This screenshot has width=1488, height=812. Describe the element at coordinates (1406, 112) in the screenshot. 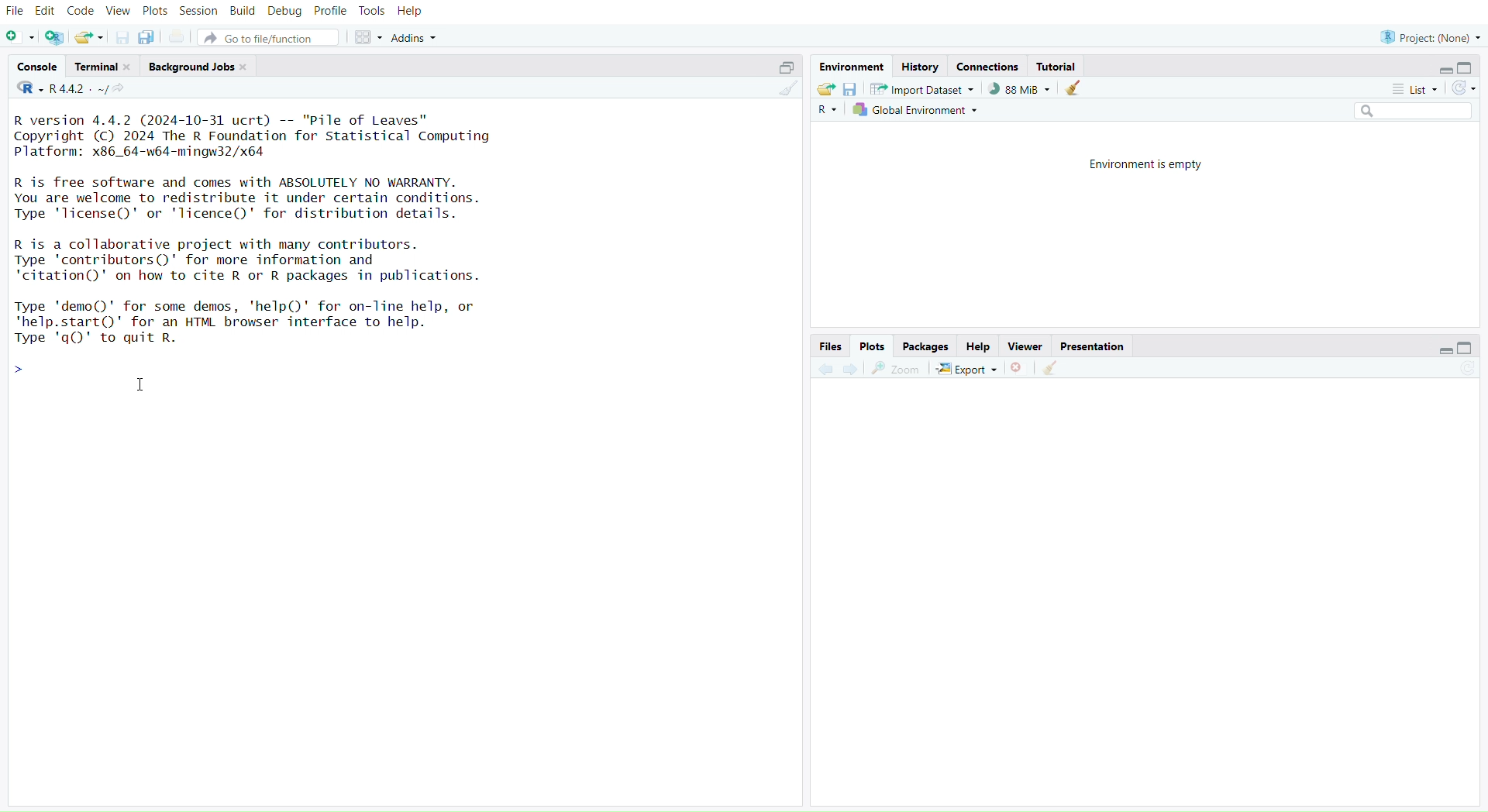

I see `search` at that location.